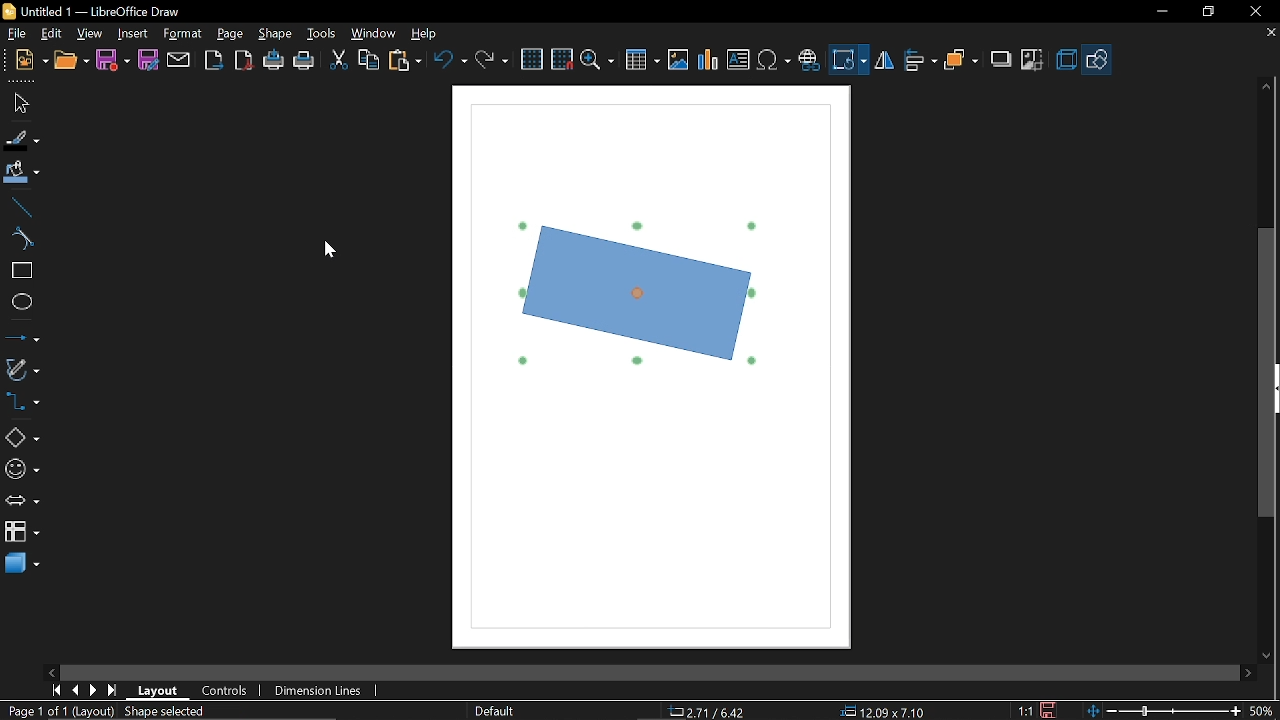 The image size is (1280, 720). Describe the element at coordinates (21, 470) in the screenshot. I see `Symbol shapes` at that location.